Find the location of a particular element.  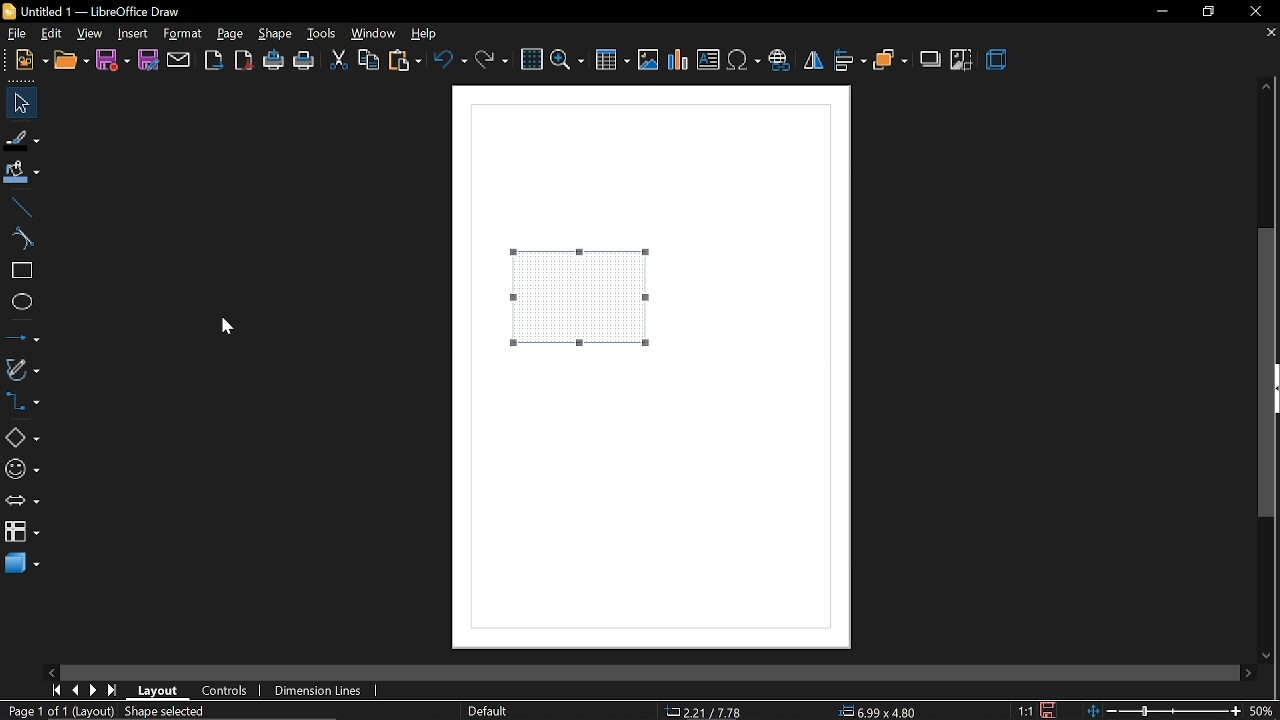

Dimension lines is located at coordinates (326, 692).